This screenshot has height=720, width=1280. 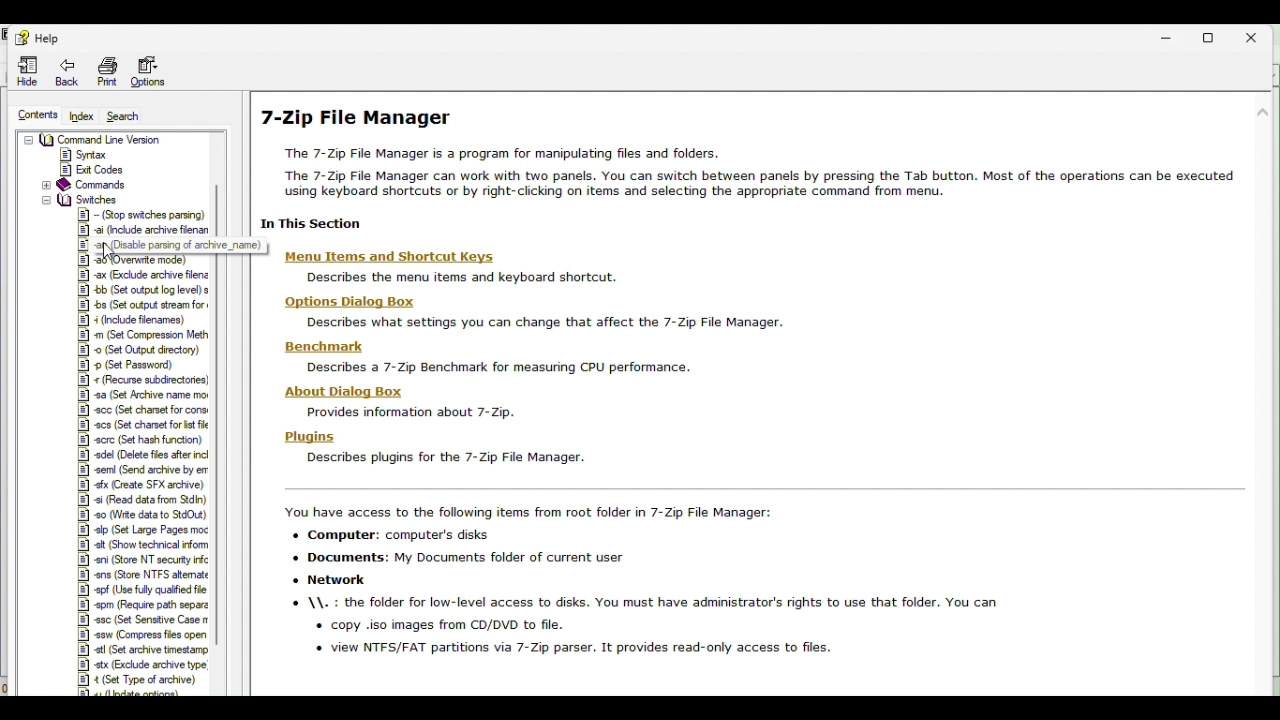 I want to click on 1B) al Oncdude archive flenan, so click(x=143, y=229).